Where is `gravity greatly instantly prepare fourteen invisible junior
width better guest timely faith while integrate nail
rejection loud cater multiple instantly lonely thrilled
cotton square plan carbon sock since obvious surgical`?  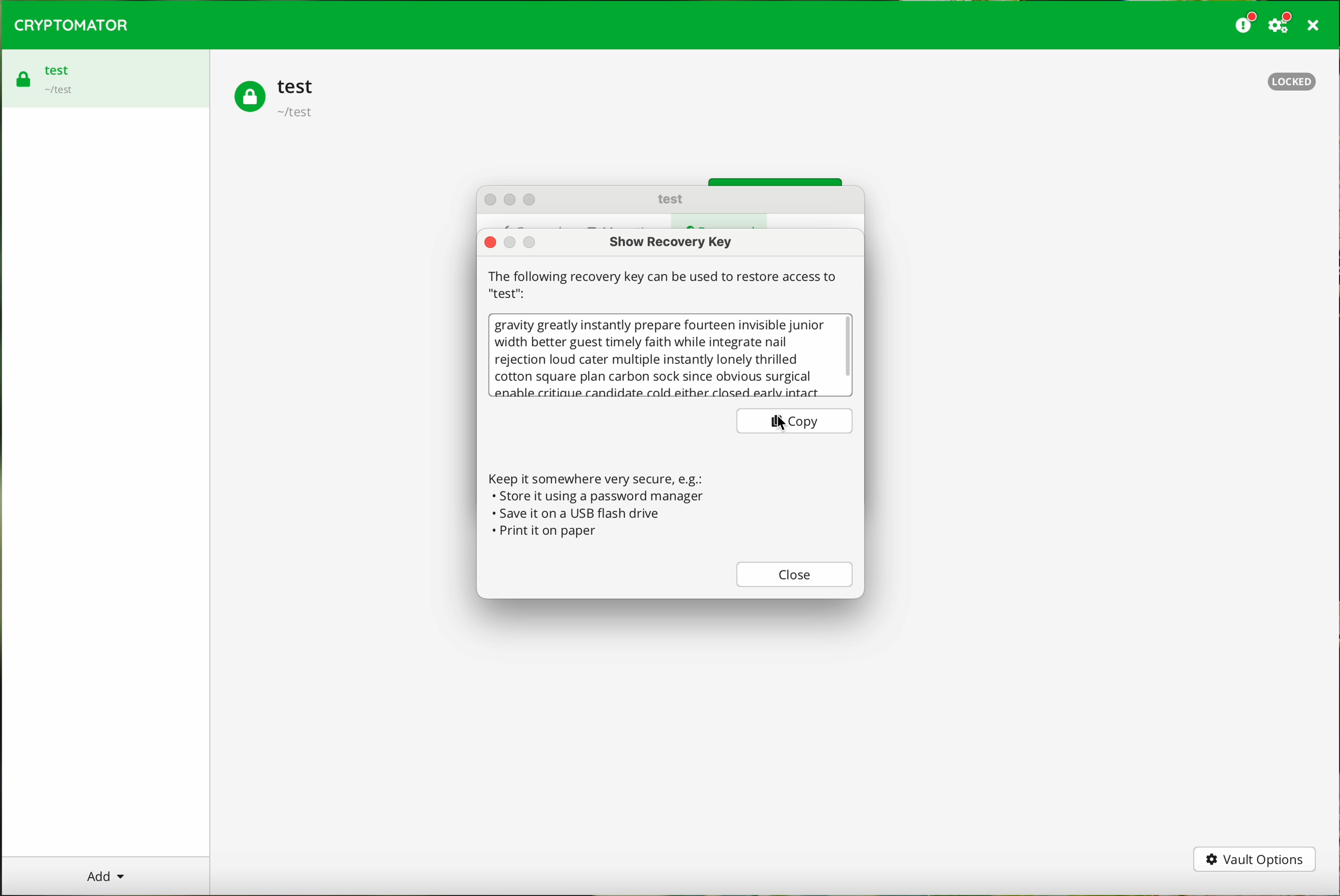
gravity greatly instantly prepare fourteen invisible junior
width better guest timely faith while integrate nail
rejection loud cater multiple instantly lonely thrilled
cotton square plan carbon sock since obvious surgical is located at coordinates (659, 357).